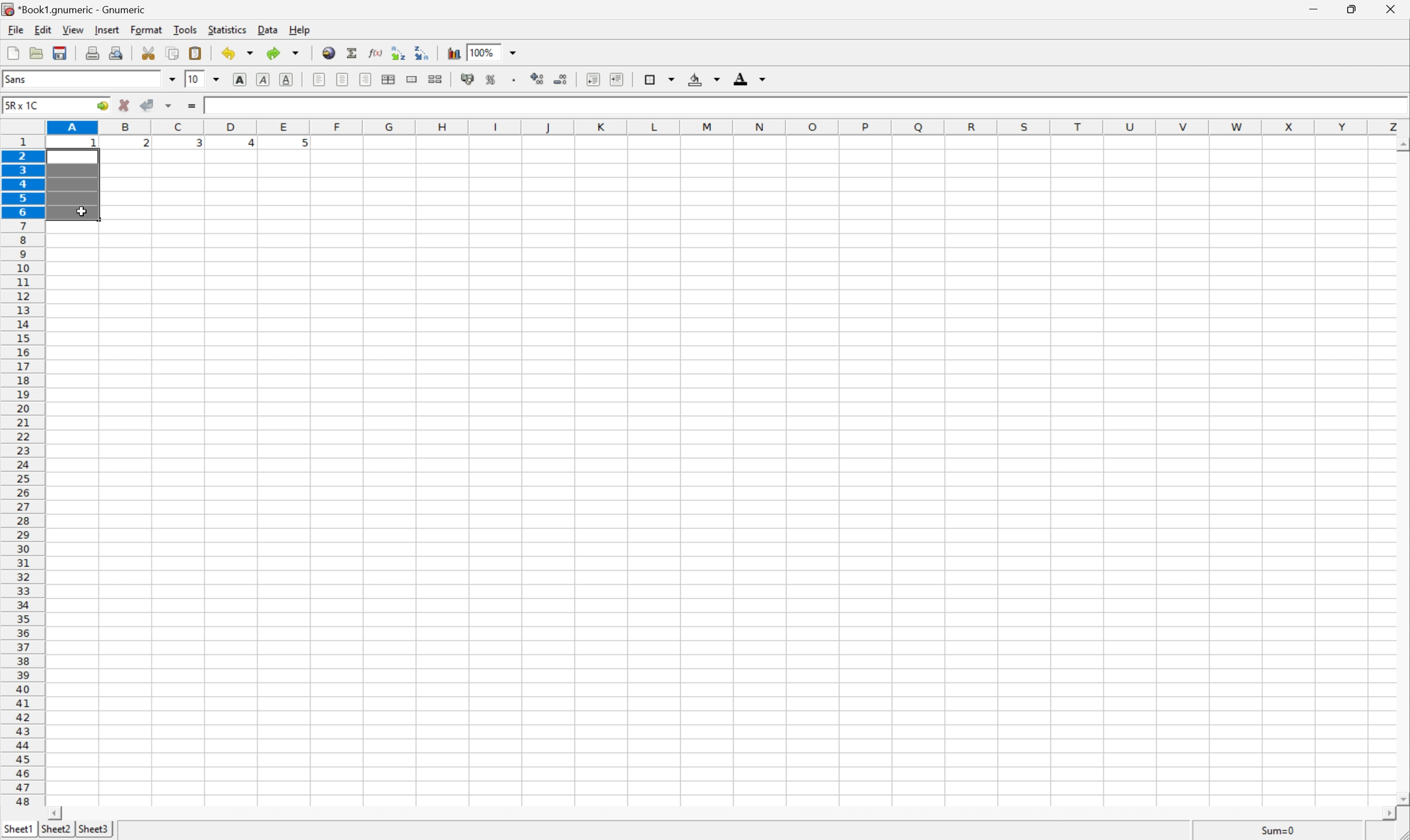  I want to click on data, so click(266, 29).